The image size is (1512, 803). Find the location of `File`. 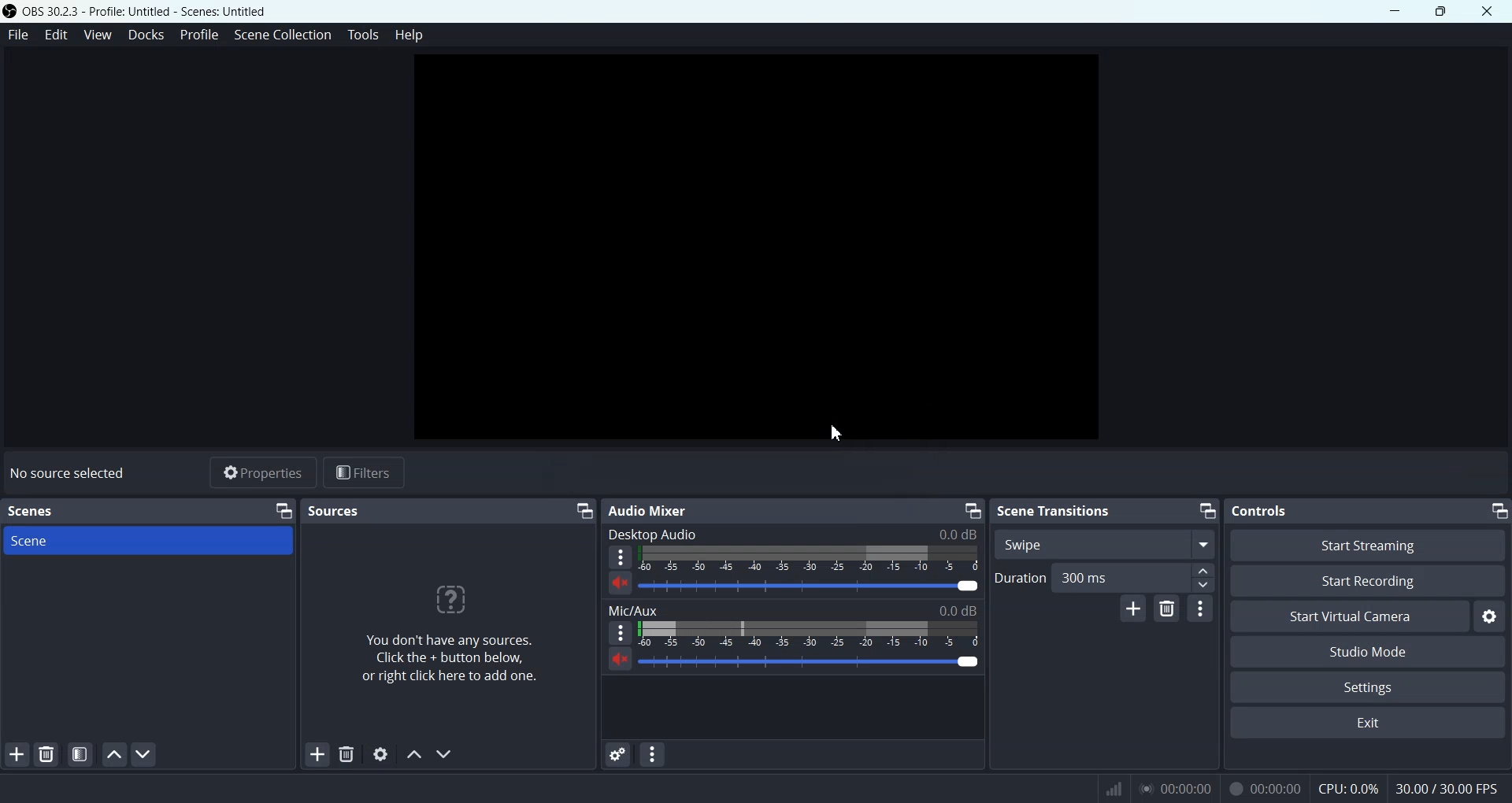

File is located at coordinates (17, 35).